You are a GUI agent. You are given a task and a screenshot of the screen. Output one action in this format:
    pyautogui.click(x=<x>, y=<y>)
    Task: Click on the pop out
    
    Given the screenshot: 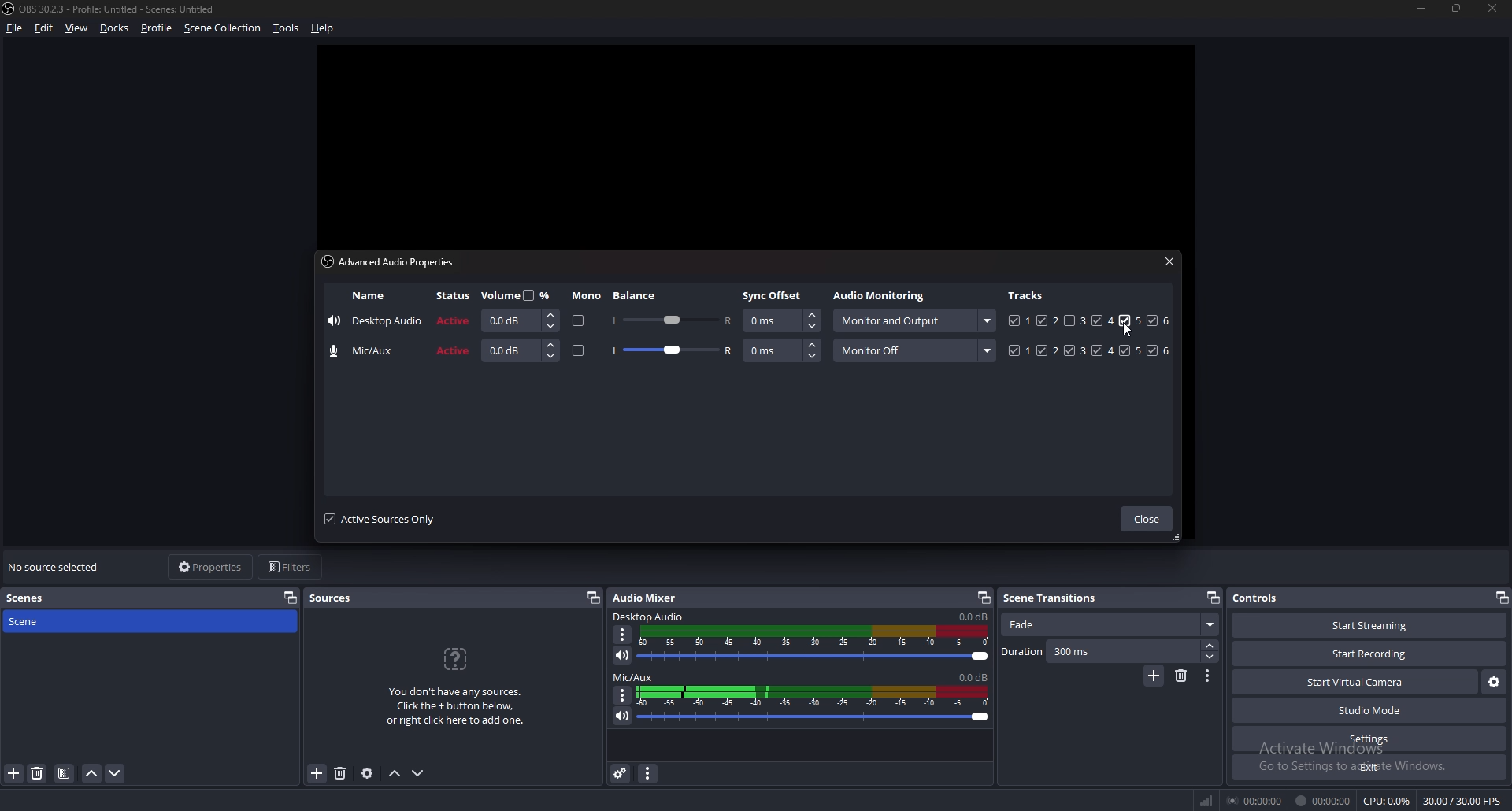 What is the action you would take?
    pyautogui.click(x=594, y=598)
    